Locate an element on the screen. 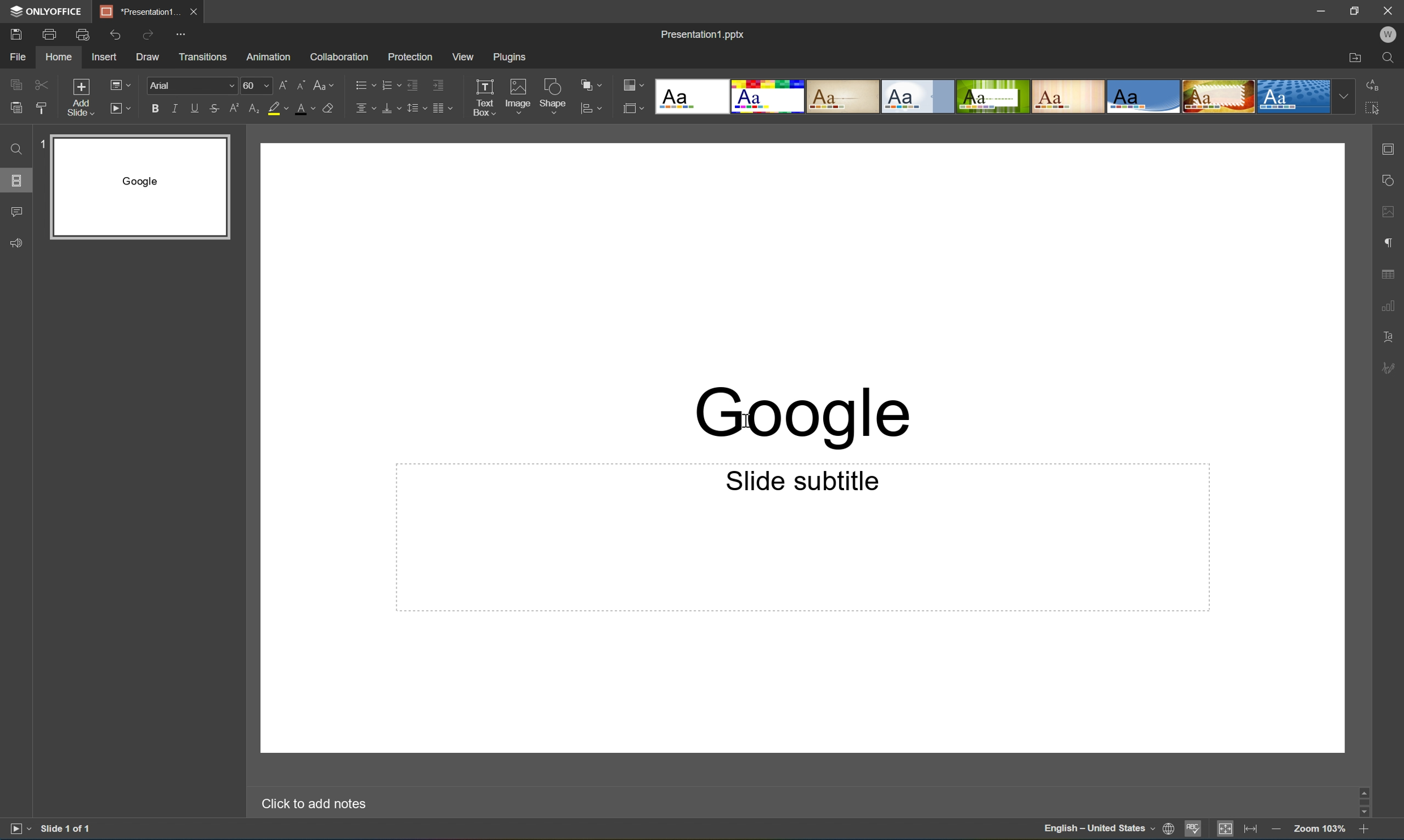 This screenshot has width=1404, height=840. Fit to slide is located at coordinates (1228, 829).